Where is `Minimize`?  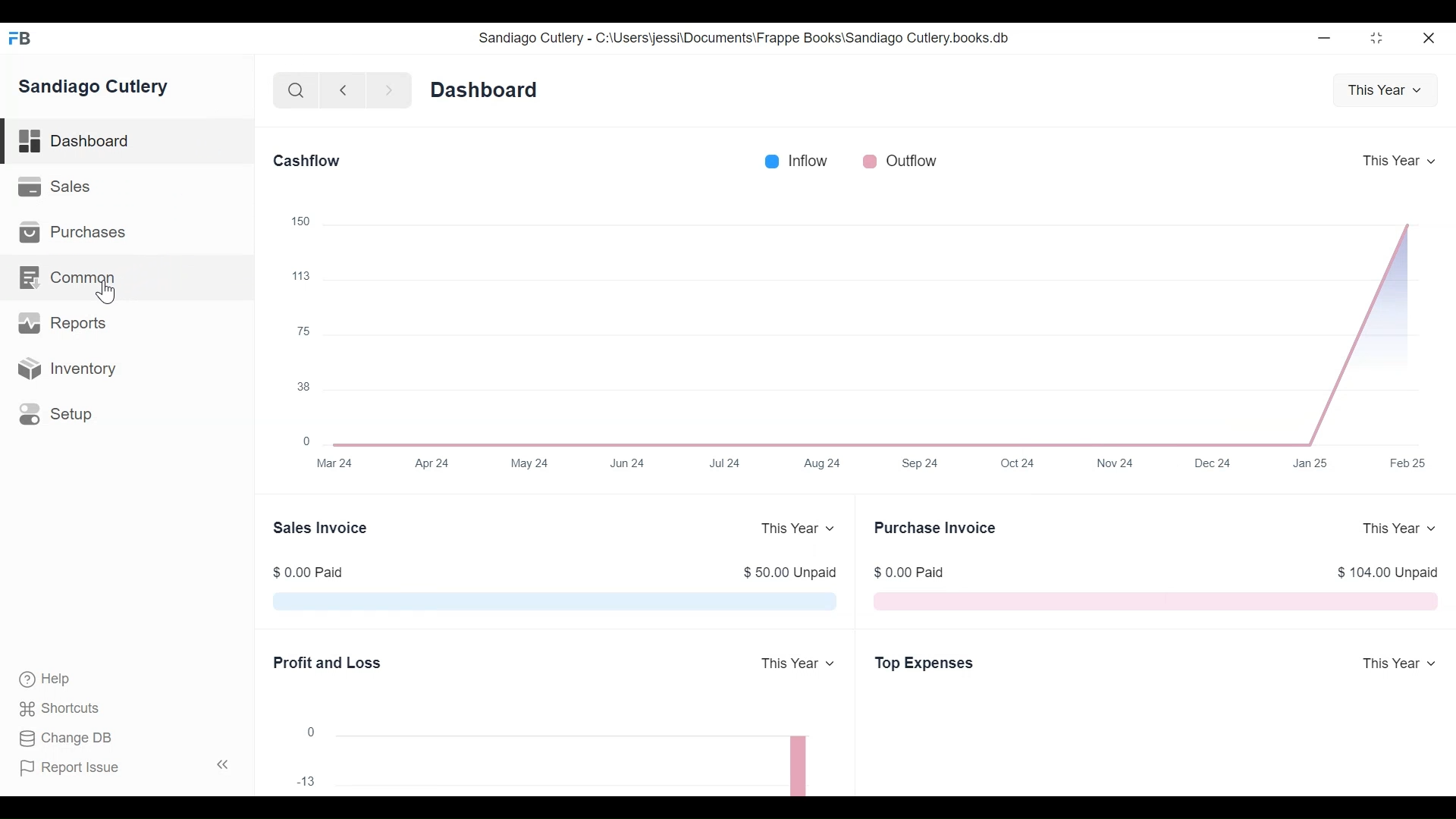 Minimize is located at coordinates (1326, 39).